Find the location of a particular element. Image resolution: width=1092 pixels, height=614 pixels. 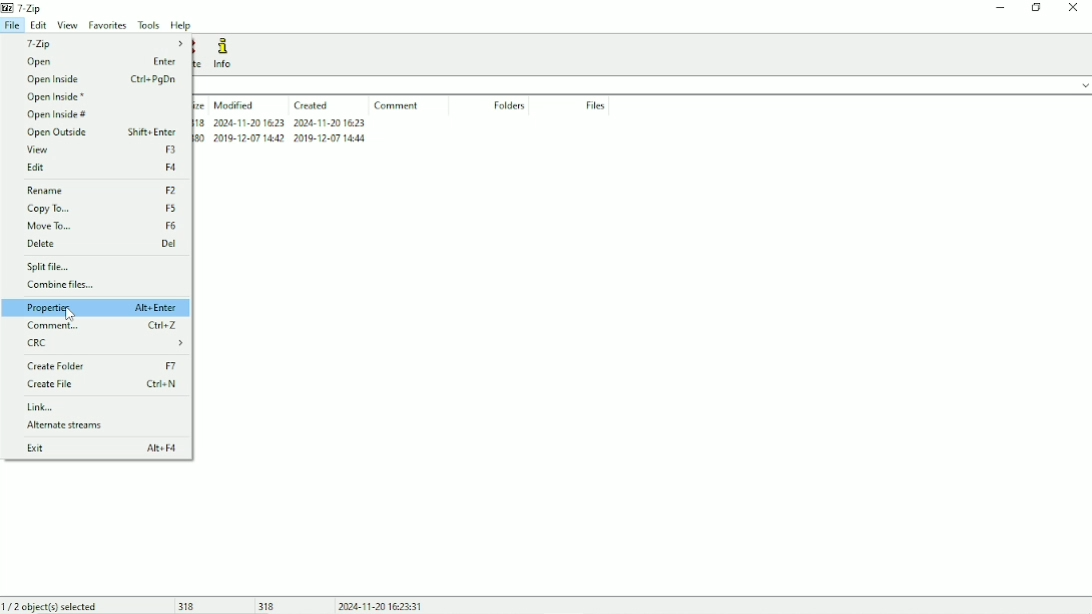

Open Outside is located at coordinates (103, 133).